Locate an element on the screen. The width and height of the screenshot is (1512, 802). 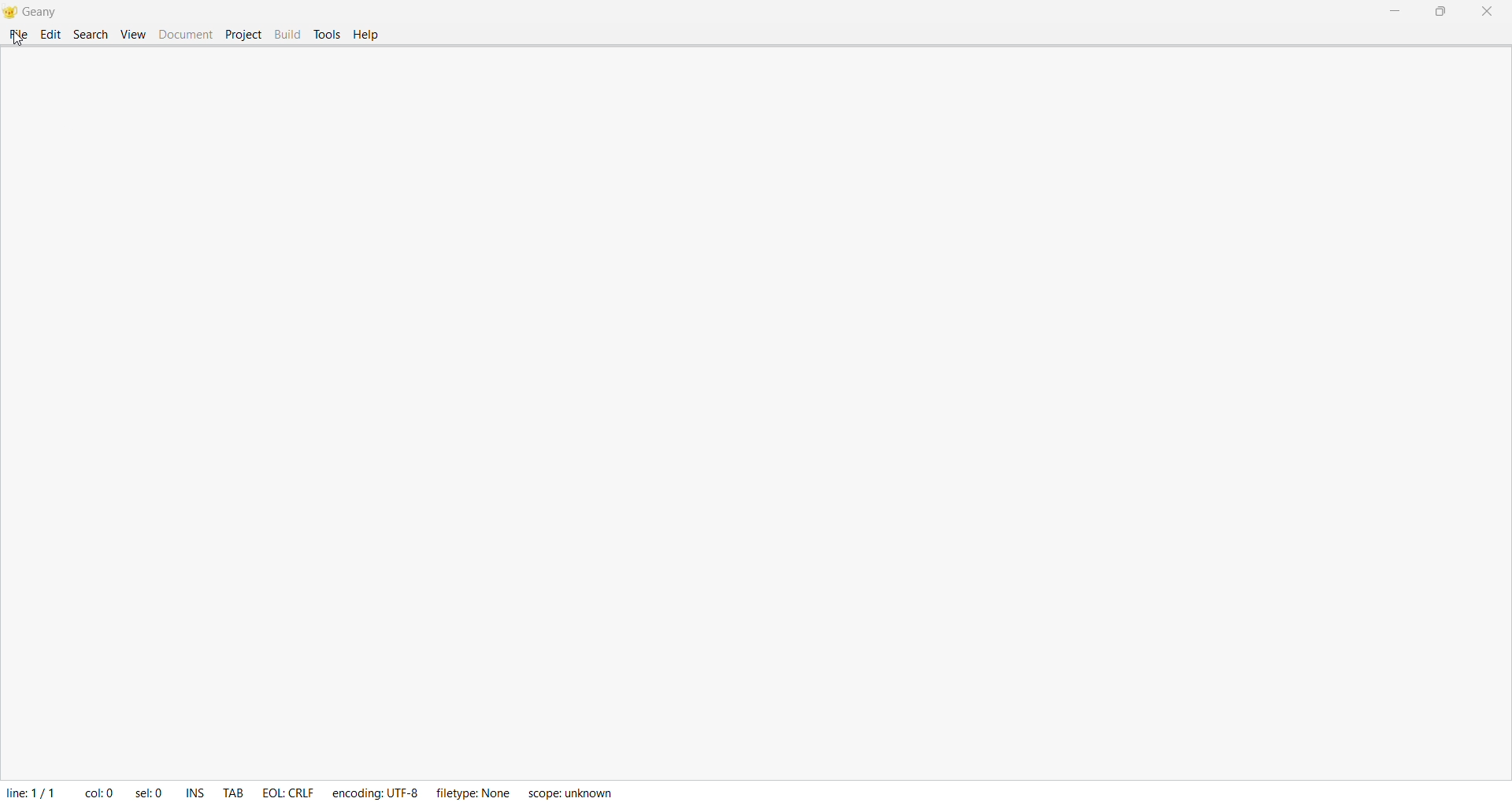
EOL: CTRLF is located at coordinates (292, 793).